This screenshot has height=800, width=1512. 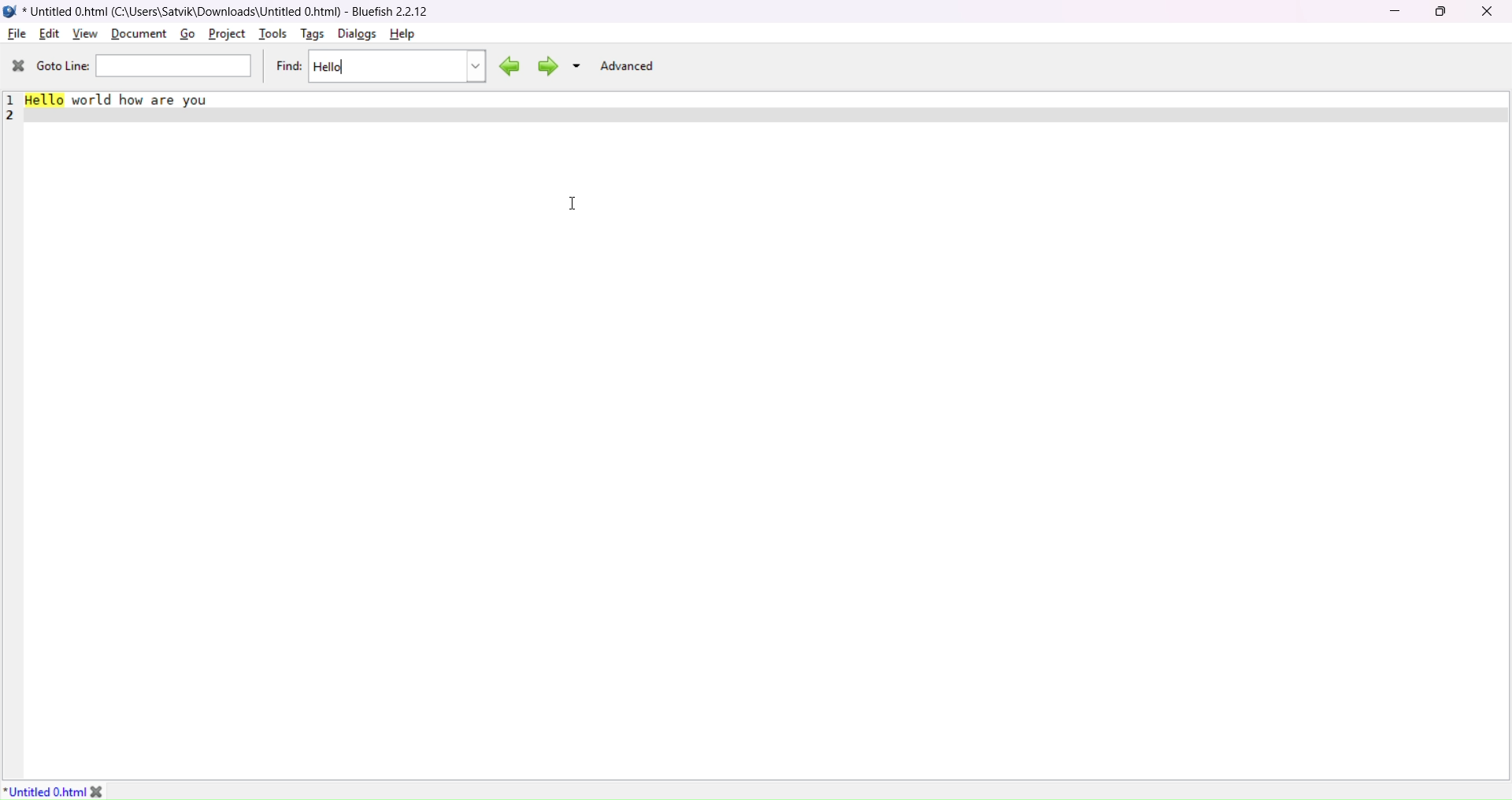 What do you see at coordinates (545, 66) in the screenshot?
I see `next` at bounding box center [545, 66].